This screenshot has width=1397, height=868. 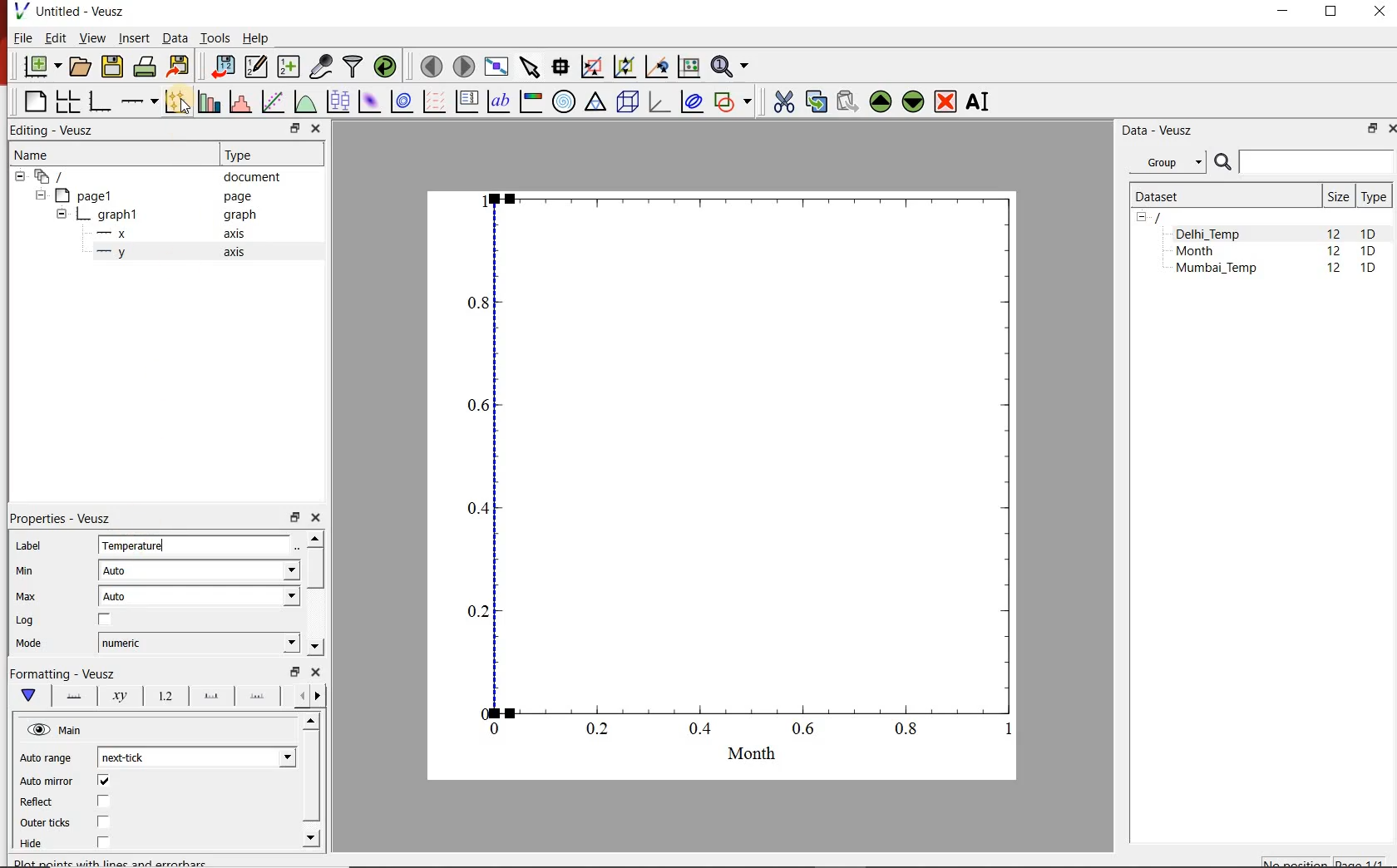 I want to click on plot box plots, so click(x=338, y=101).